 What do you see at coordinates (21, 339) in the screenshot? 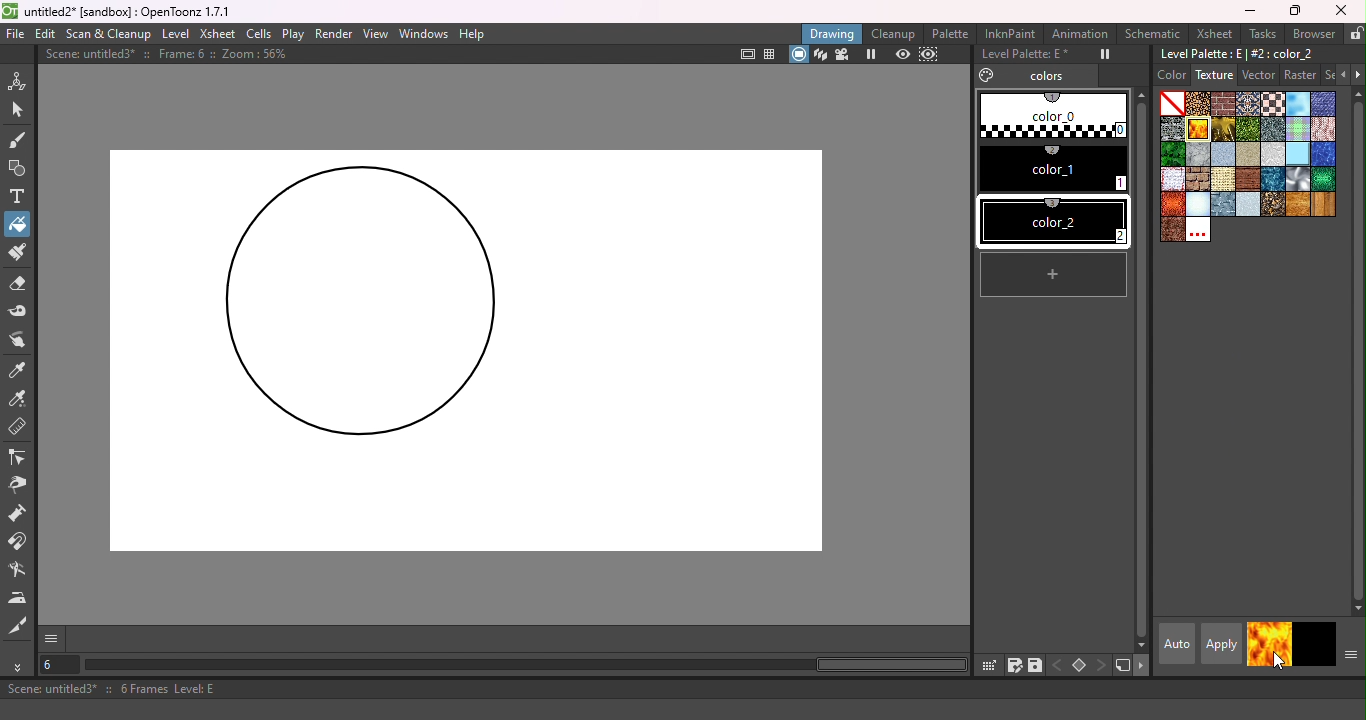
I see `Finger tool` at bounding box center [21, 339].